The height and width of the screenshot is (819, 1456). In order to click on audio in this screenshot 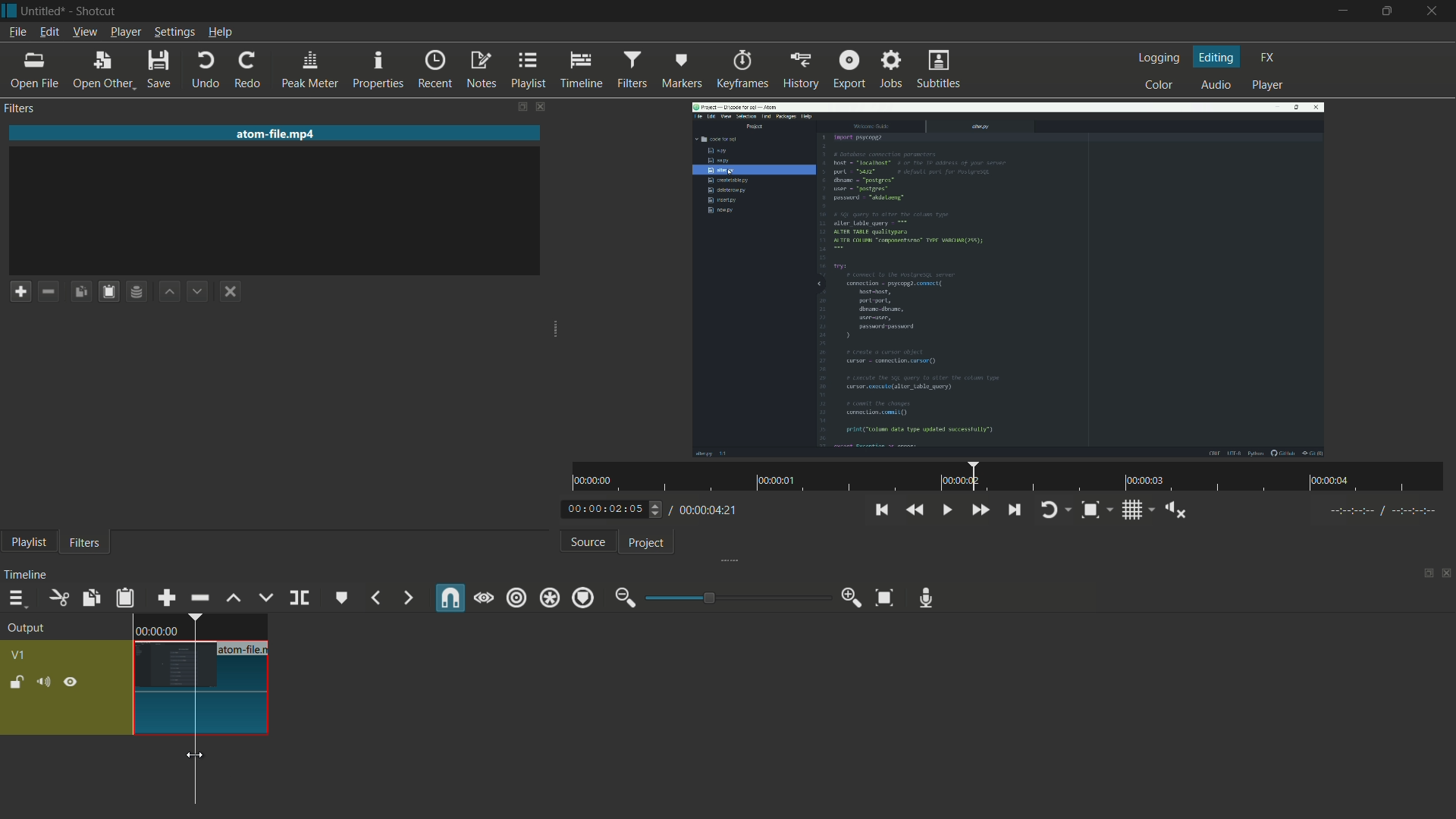, I will do `click(1217, 84)`.